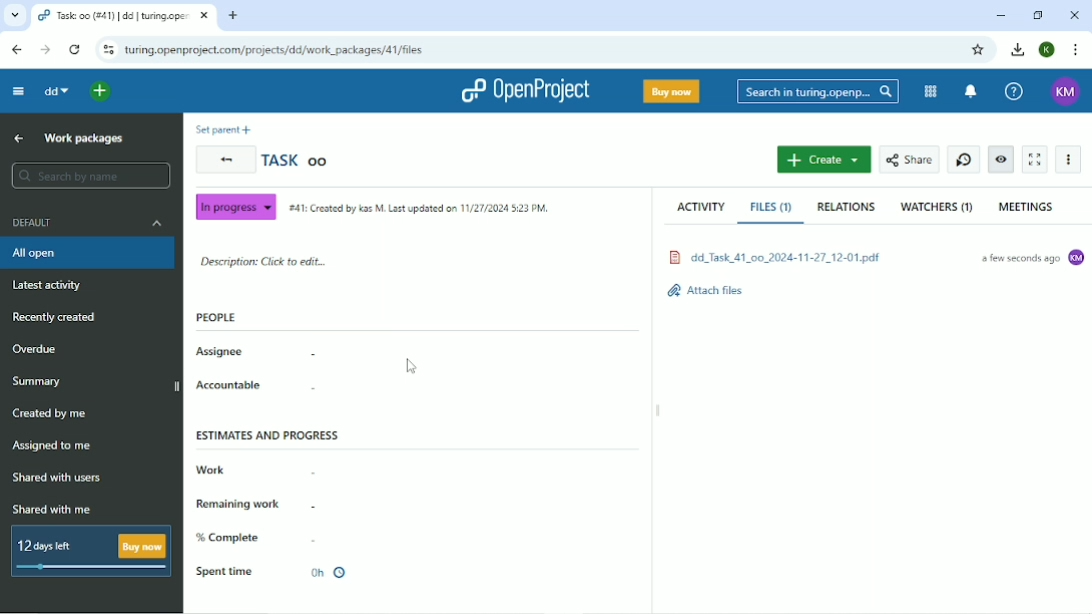 The height and width of the screenshot is (614, 1092). I want to click on Cursor, so click(412, 368).